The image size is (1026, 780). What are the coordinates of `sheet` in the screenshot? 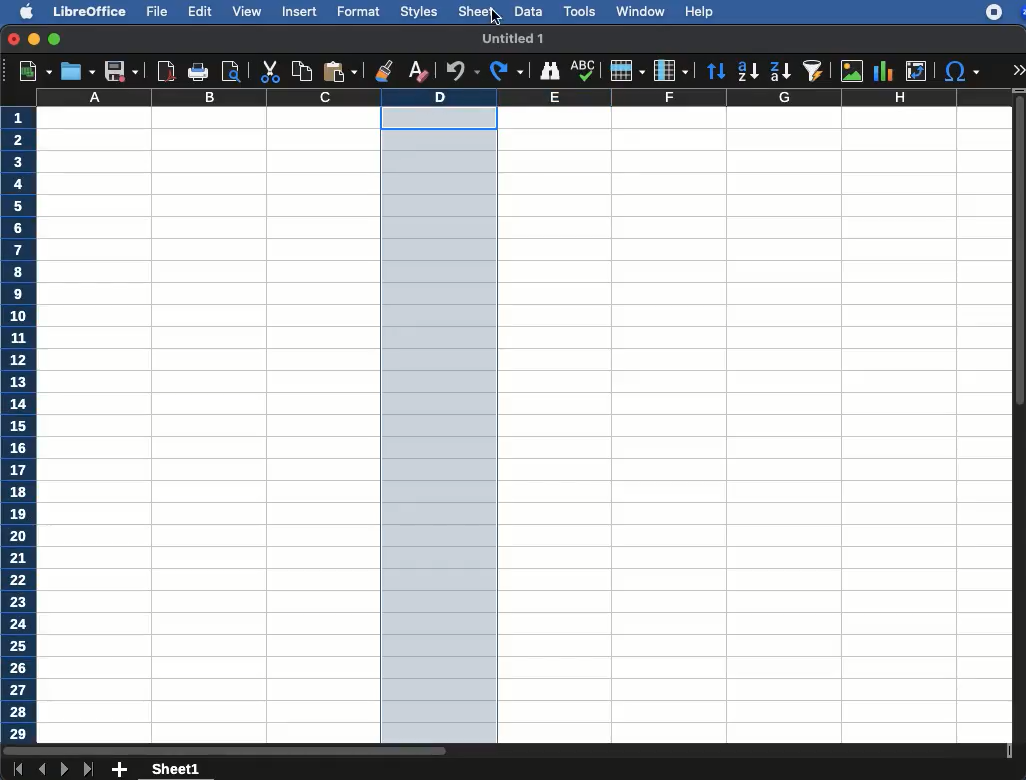 It's located at (475, 12).